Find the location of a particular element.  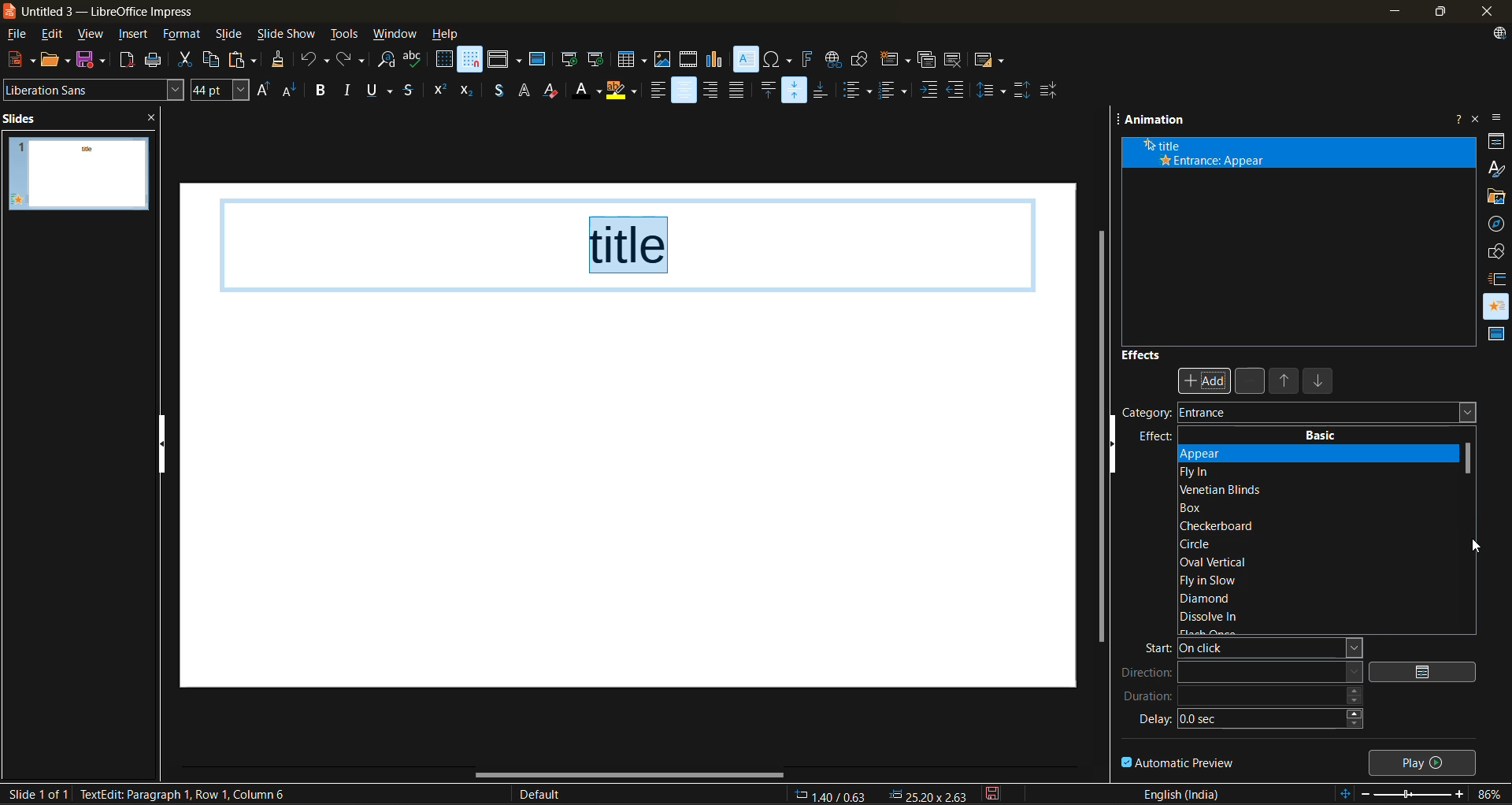

move down is located at coordinates (1321, 384).